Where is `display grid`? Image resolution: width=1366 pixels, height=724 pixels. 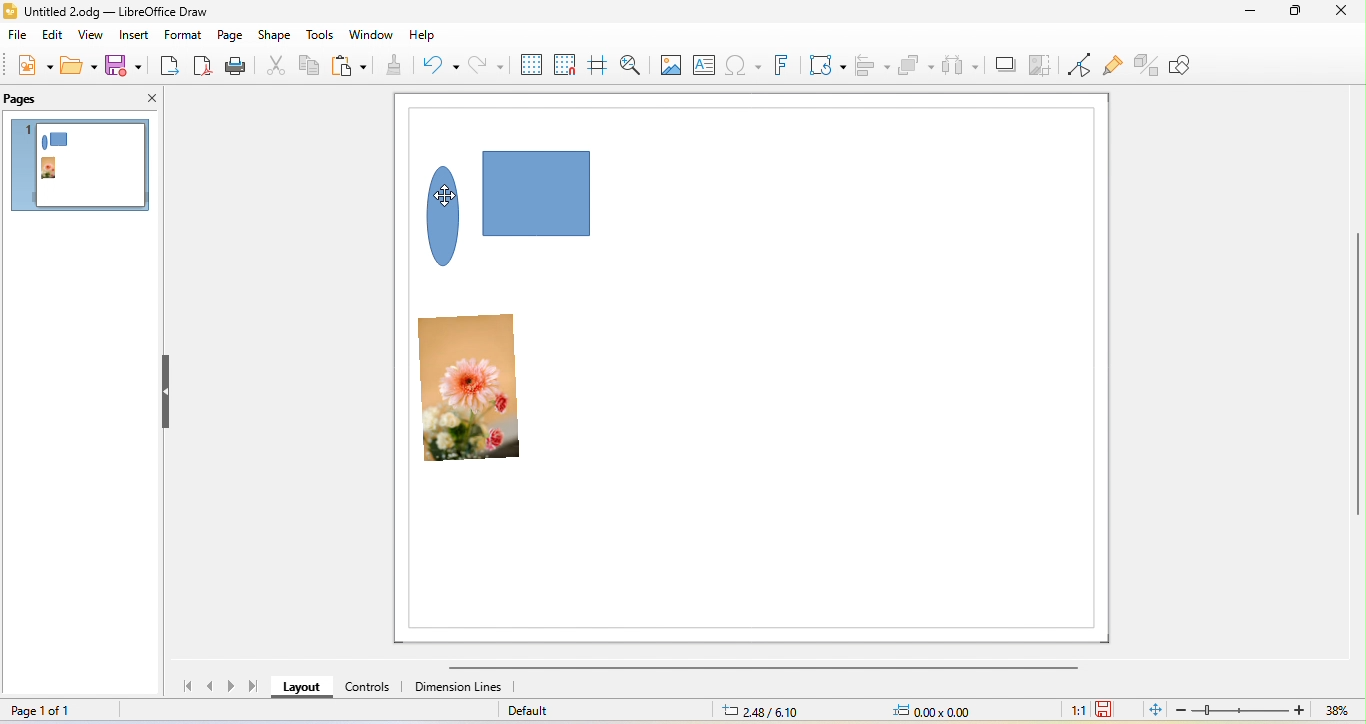 display grid is located at coordinates (528, 63).